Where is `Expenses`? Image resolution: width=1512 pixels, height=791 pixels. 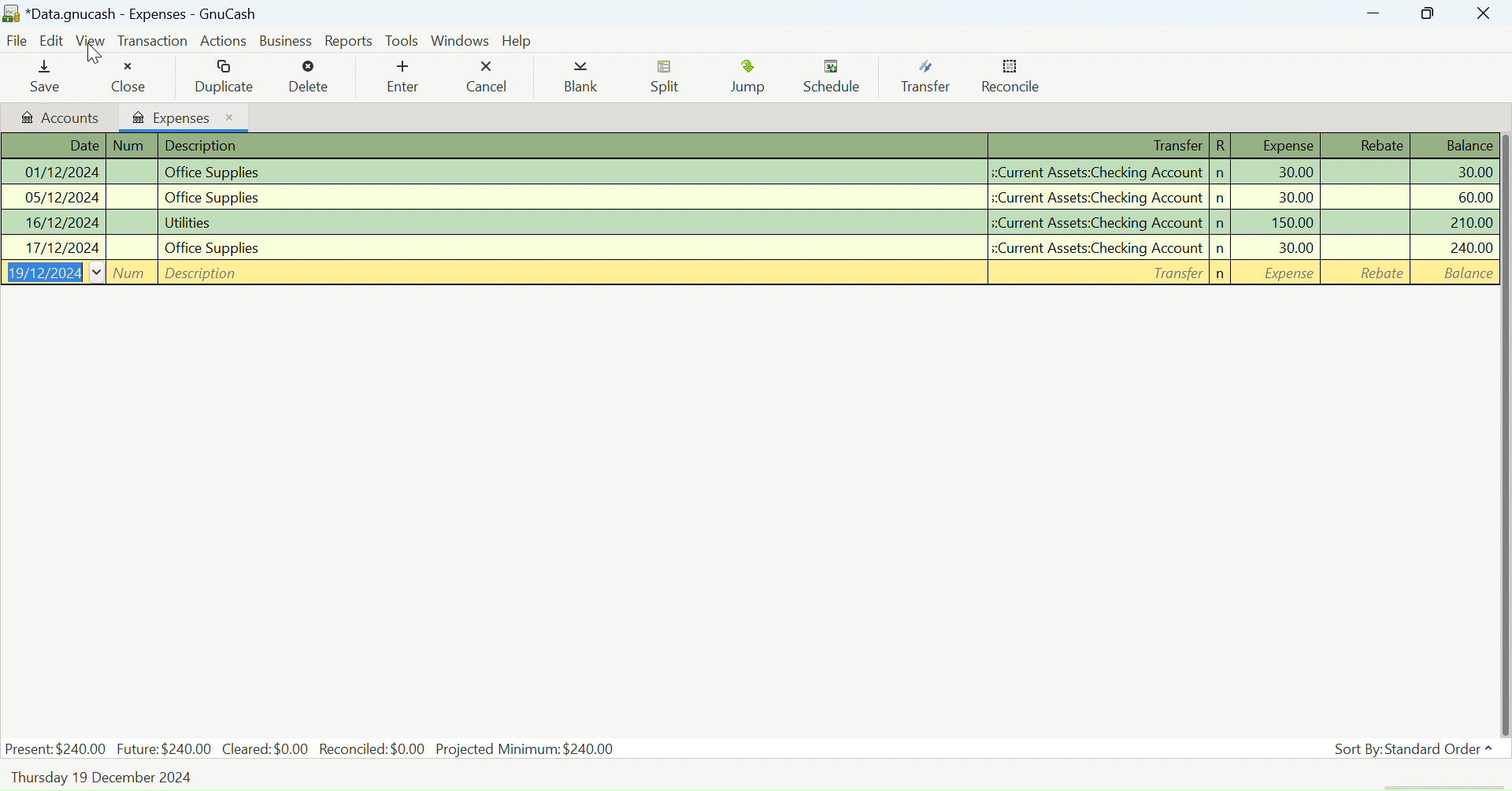
Expenses is located at coordinates (186, 117).